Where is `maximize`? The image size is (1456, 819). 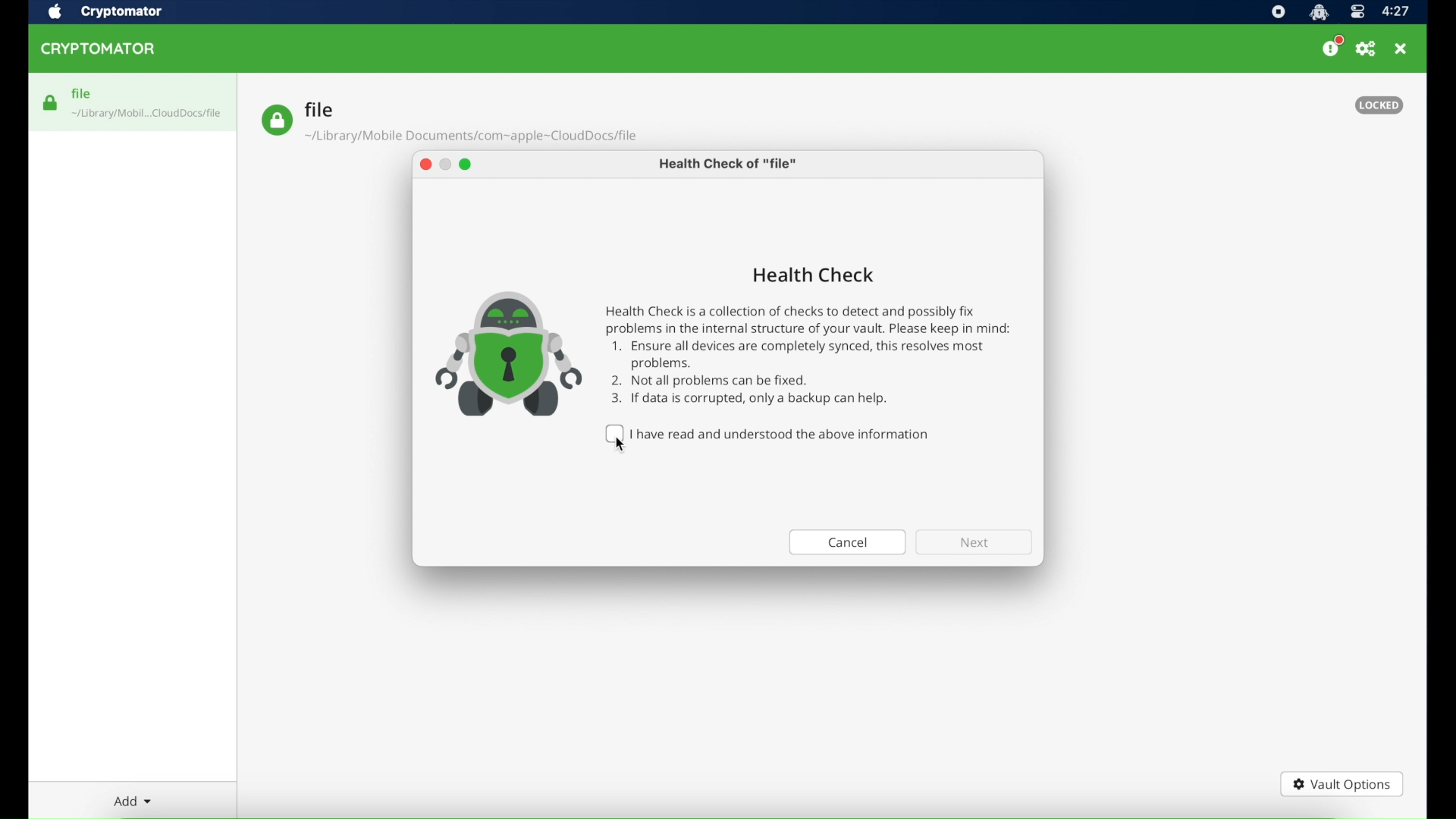 maximize is located at coordinates (466, 163).